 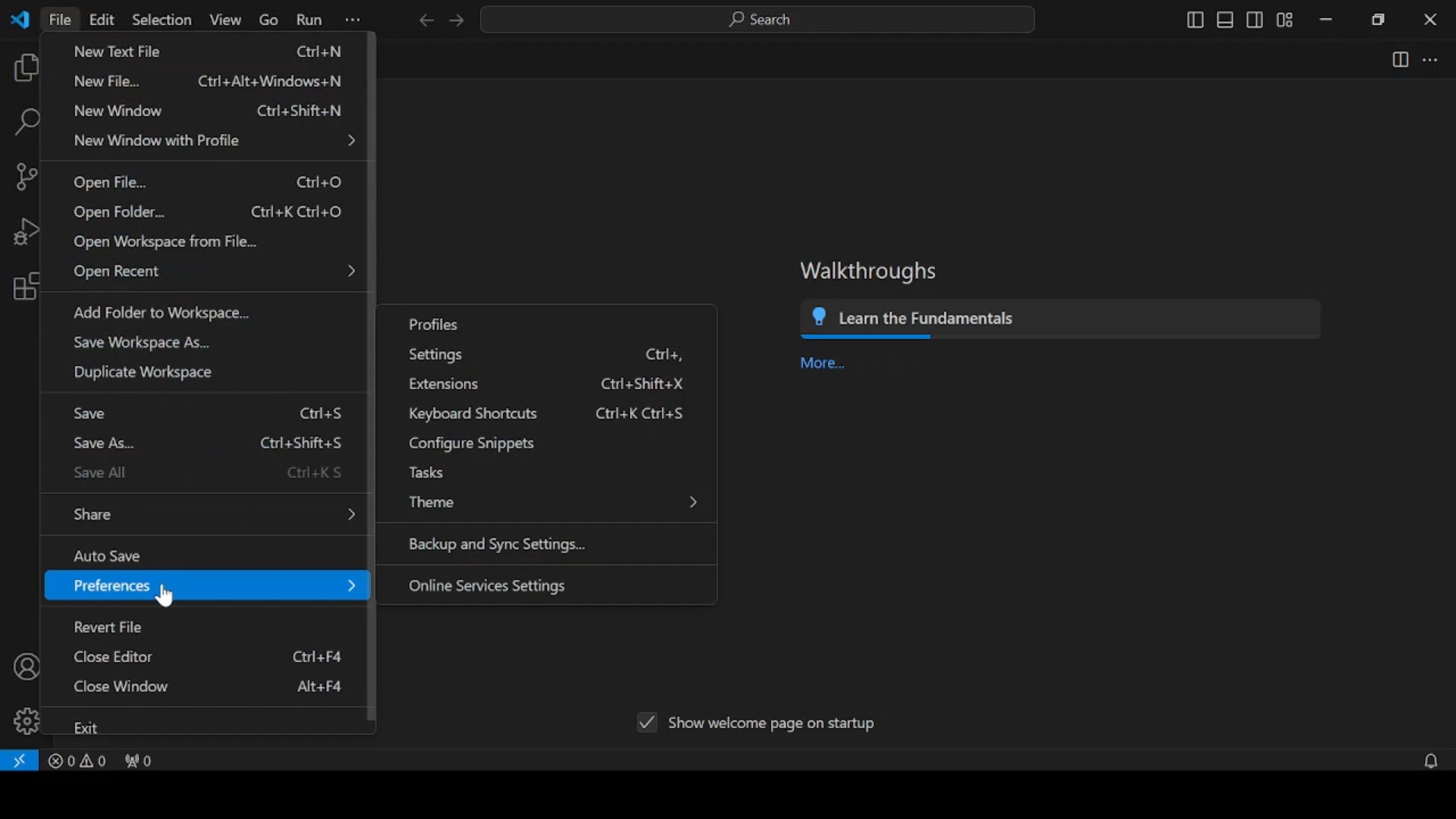 What do you see at coordinates (557, 502) in the screenshot?
I see `theme menu` at bounding box center [557, 502].